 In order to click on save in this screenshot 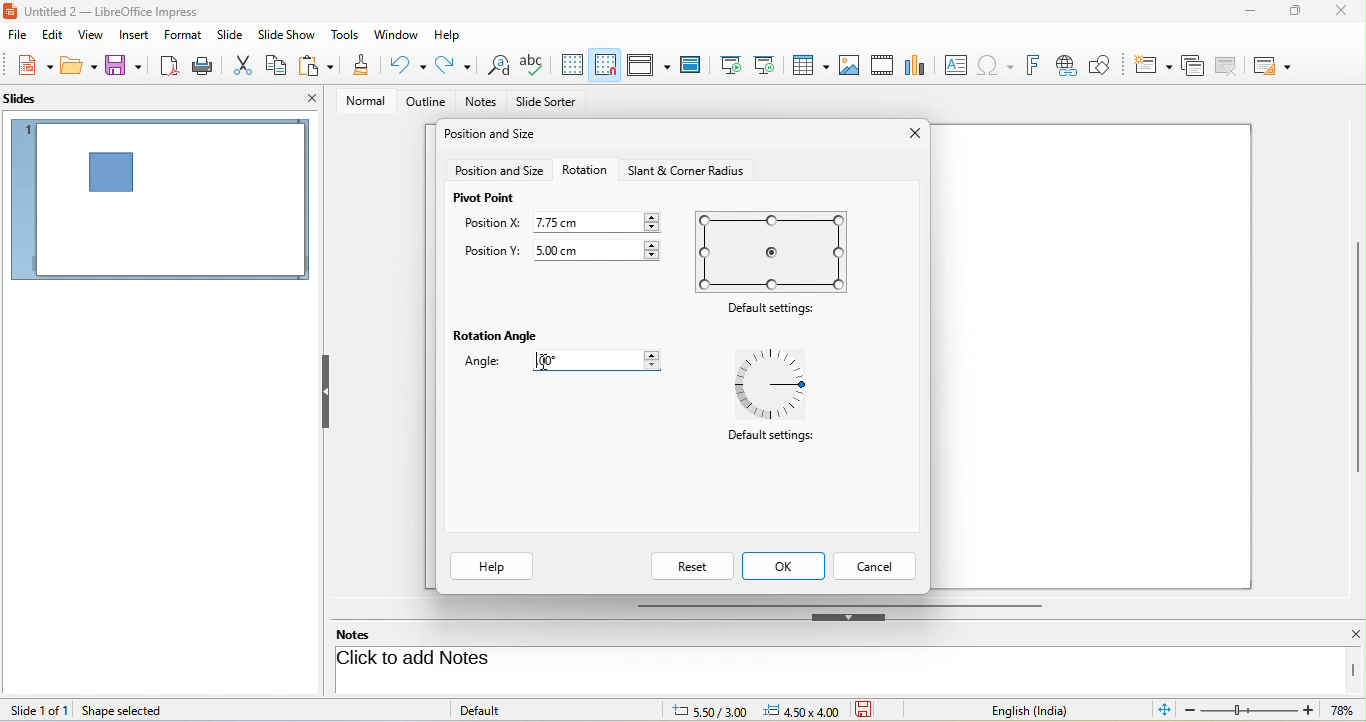, I will do `click(871, 710)`.